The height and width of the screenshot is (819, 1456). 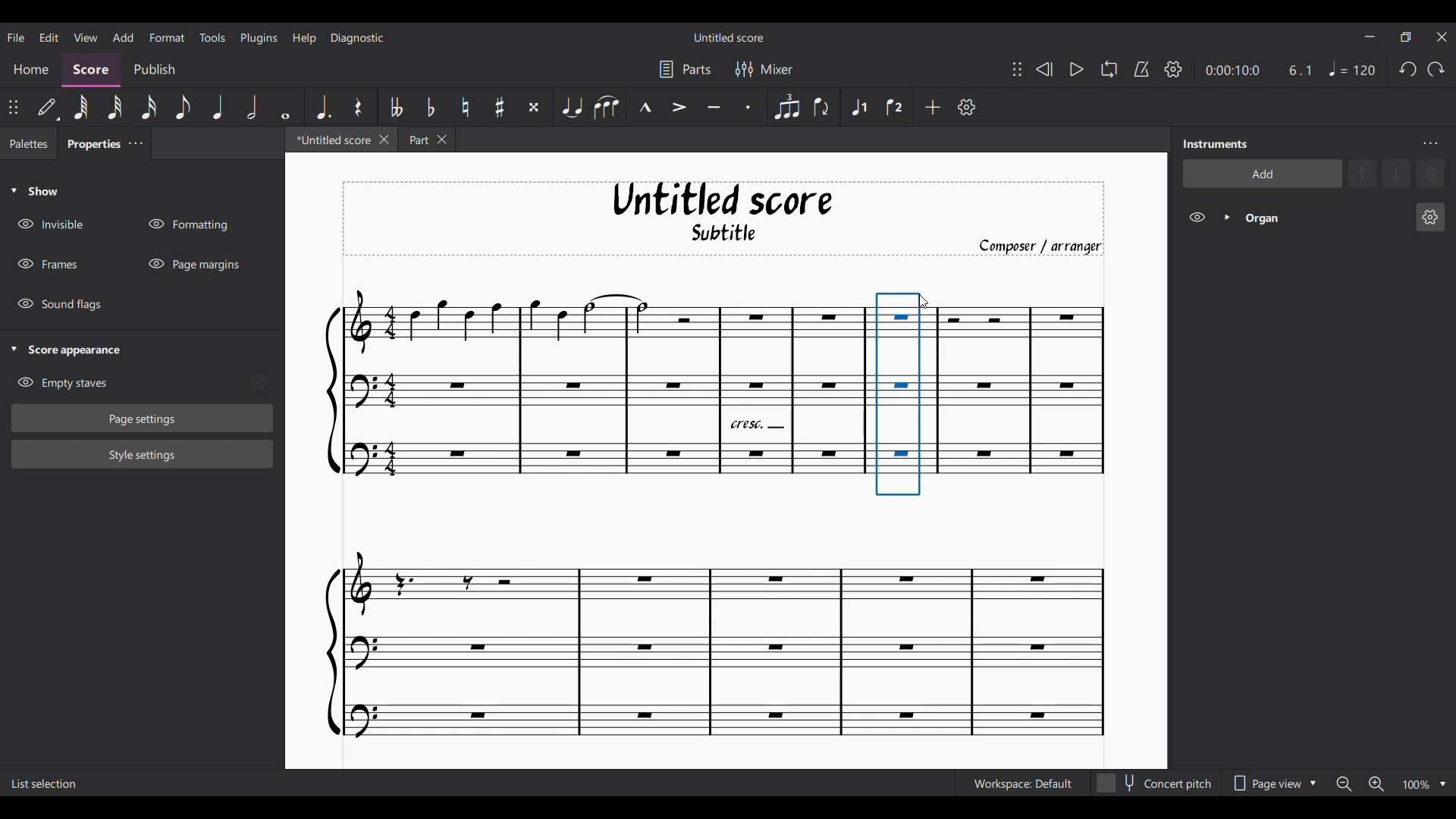 What do you see at coordinates (1227, 217) in the screenshot?
I see `Expand Organs` at bounding box center [1227, 217].